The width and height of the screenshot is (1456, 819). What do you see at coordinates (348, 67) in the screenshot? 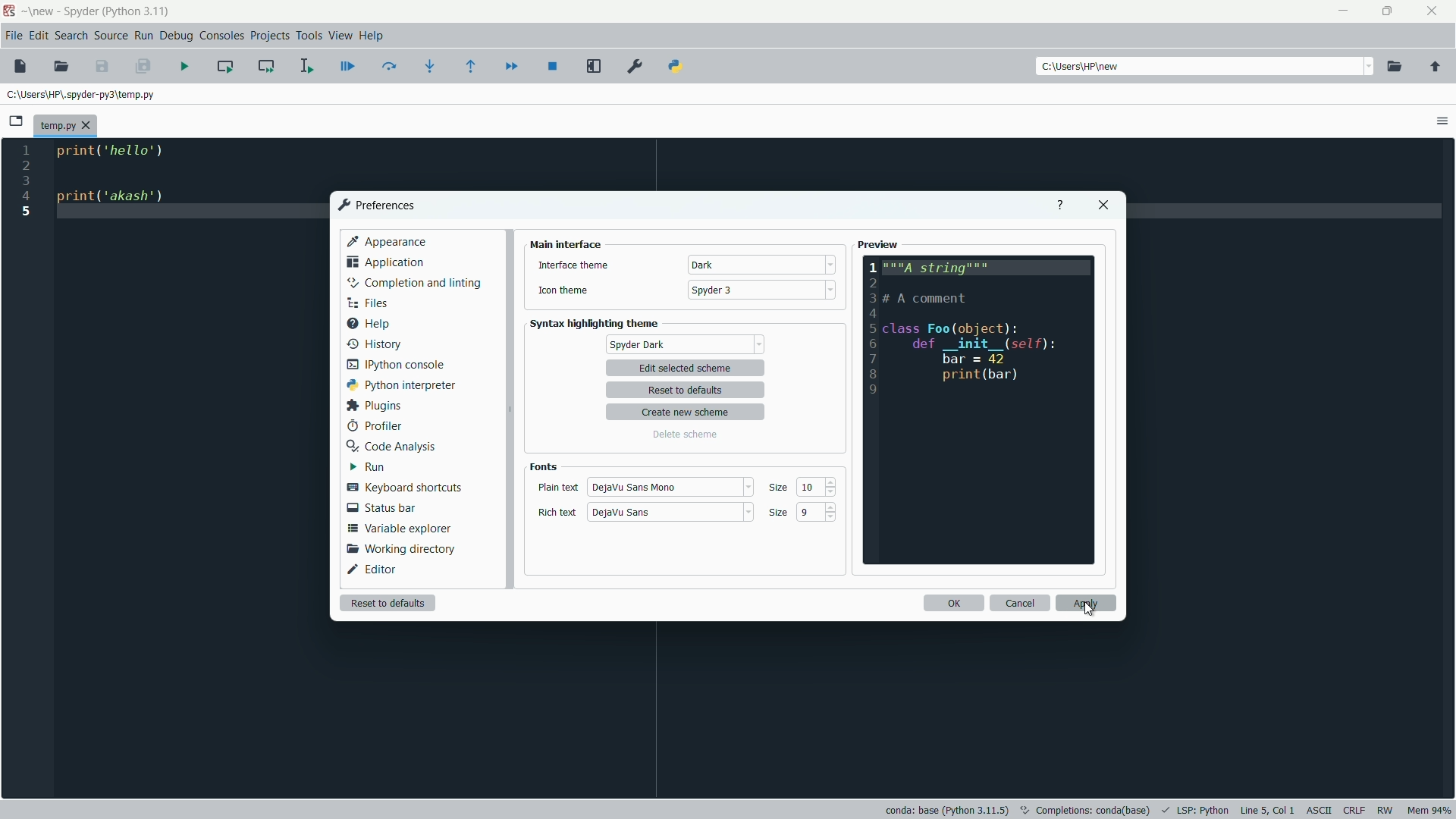
I see `debug file` at bounding box center [348, 67].